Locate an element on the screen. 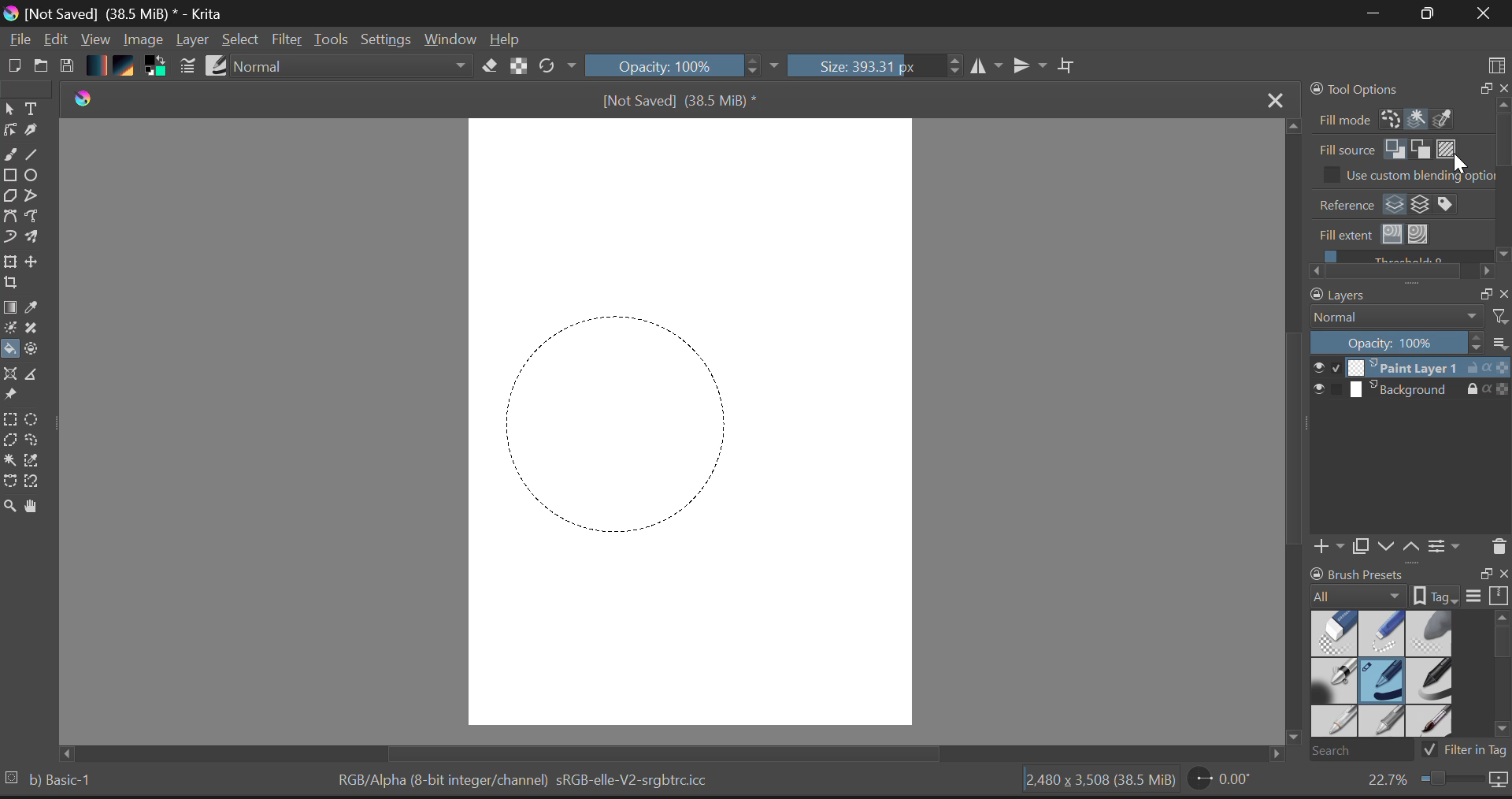 The height and width of the screenshot is (799, 1512). Elipses is located at coordinates (34, 177).